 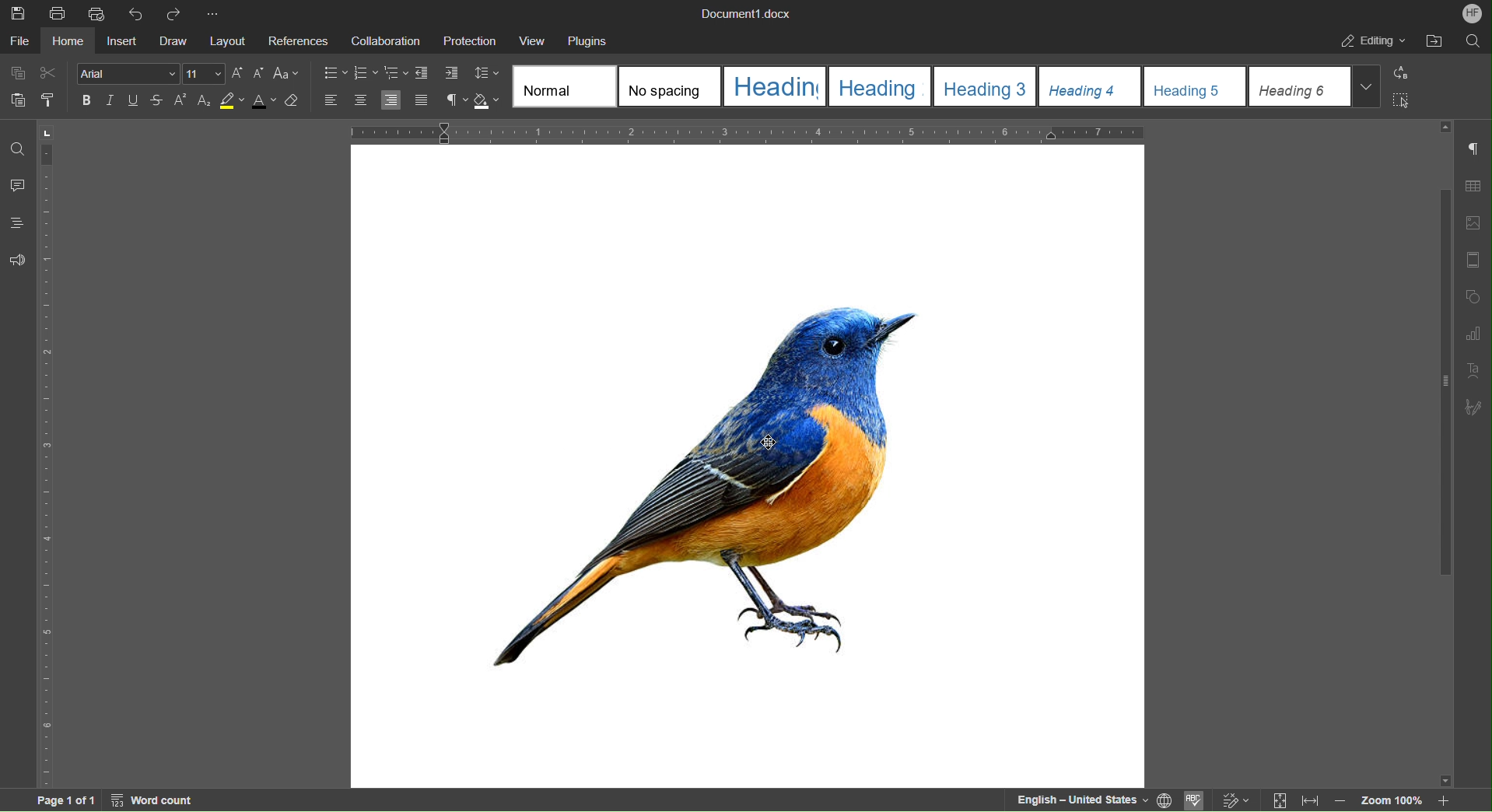 I want to click on Table, so click(x=1473, y=190).